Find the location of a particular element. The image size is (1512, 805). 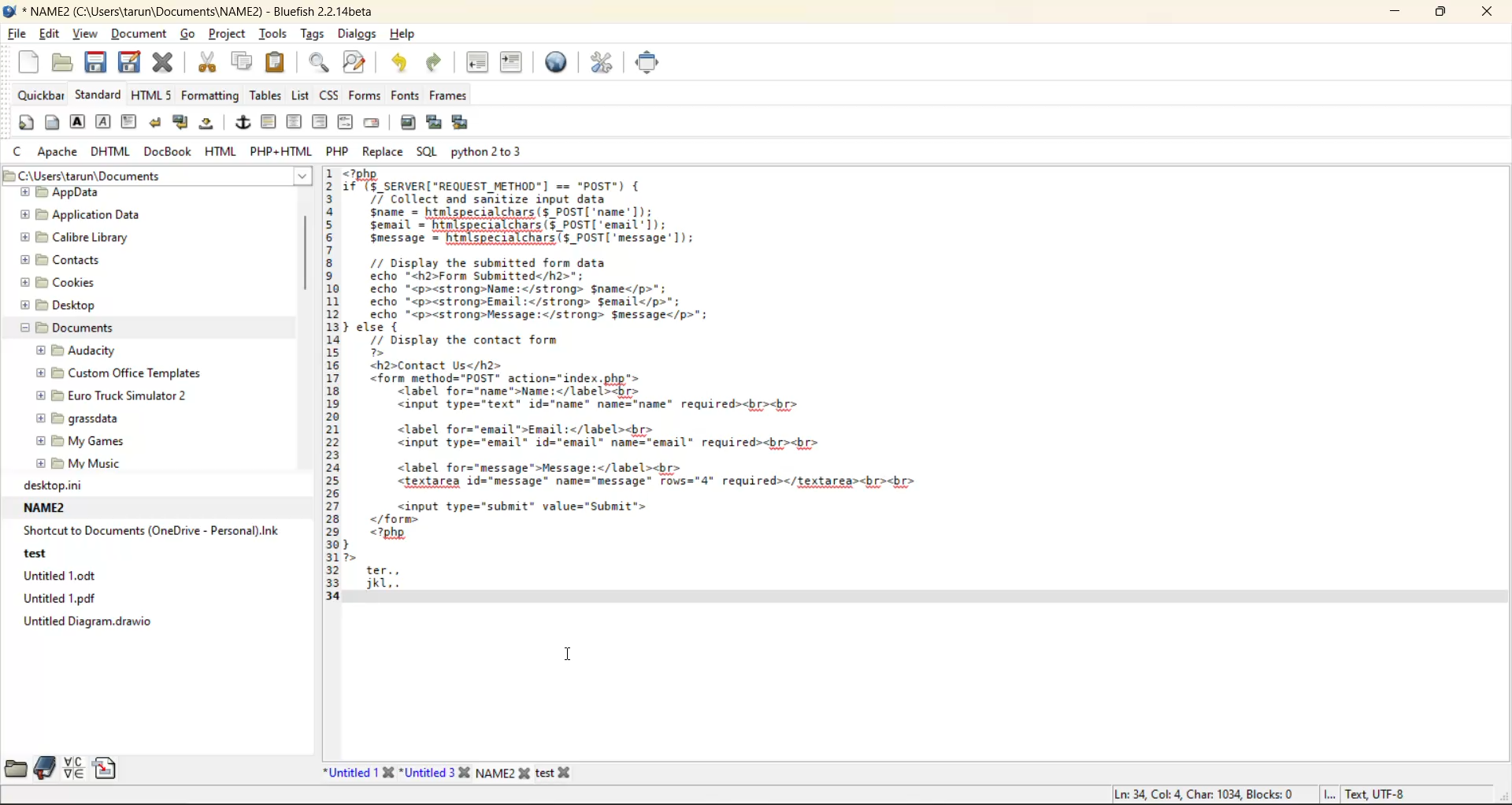

preview in browser is located at coordinates (561, 63).